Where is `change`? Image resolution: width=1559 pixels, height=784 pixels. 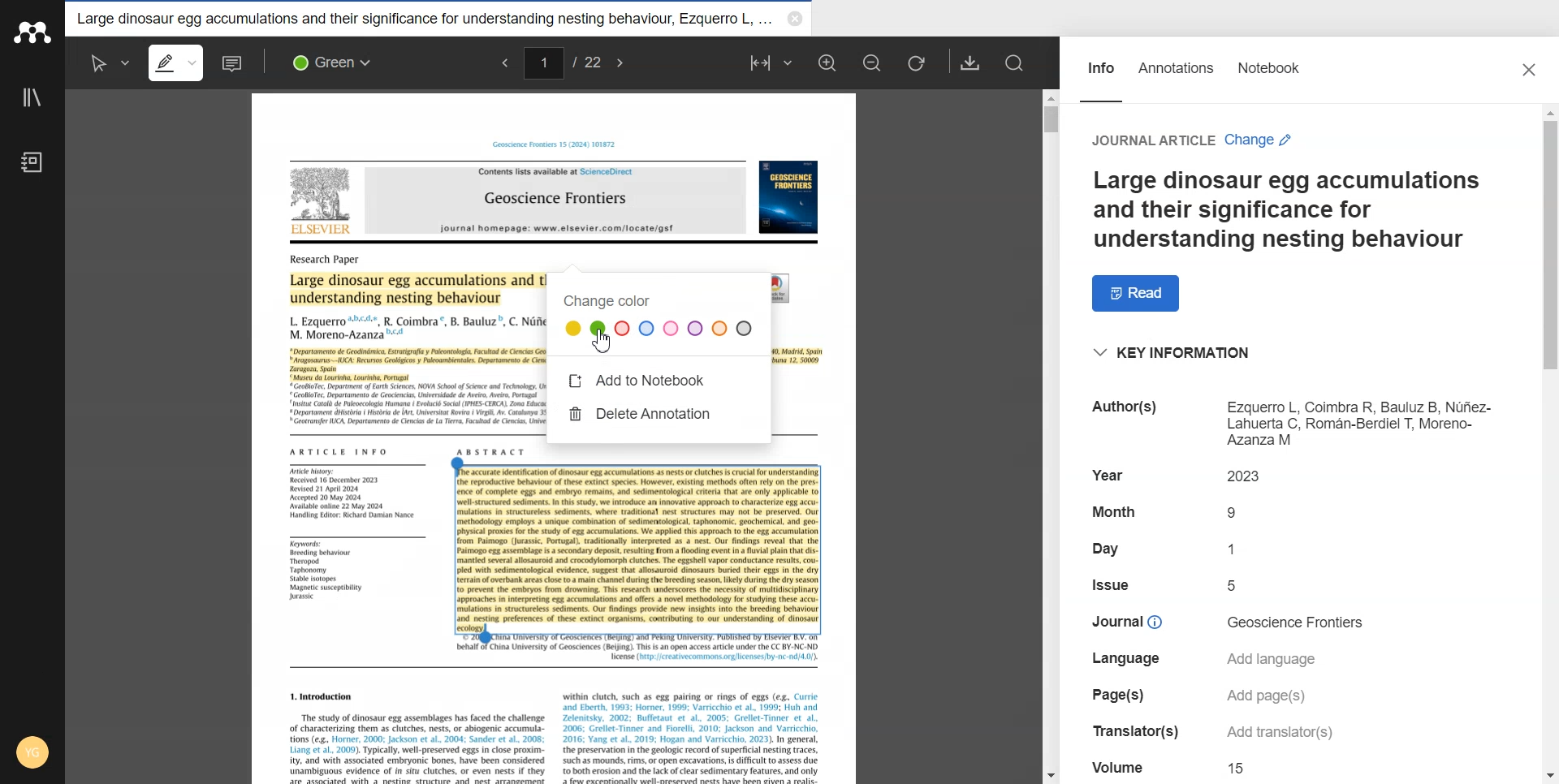
change is located at coordinates (1259, 140).